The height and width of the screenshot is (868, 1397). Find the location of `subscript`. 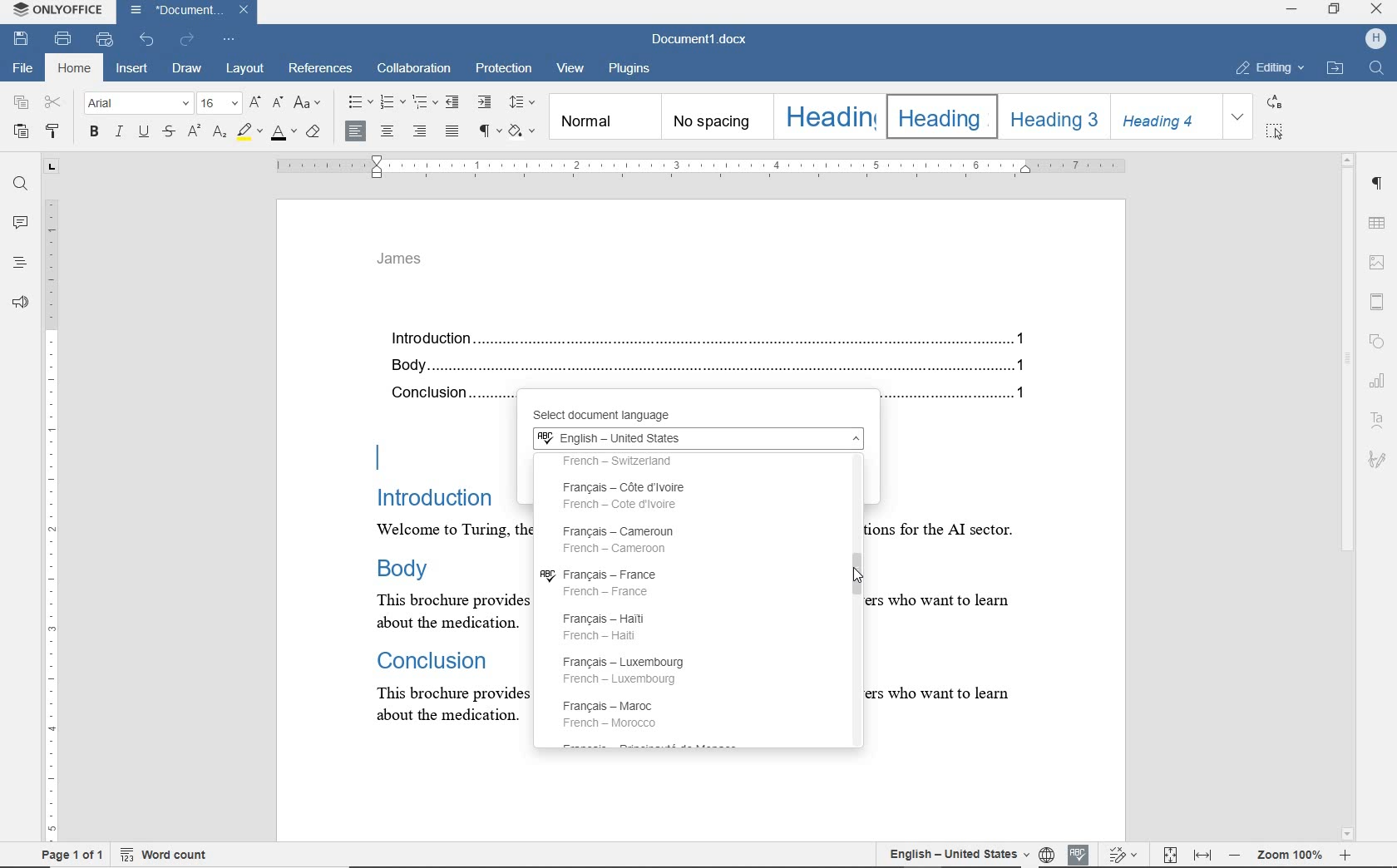

subscript is located at coordinates (219, 132).